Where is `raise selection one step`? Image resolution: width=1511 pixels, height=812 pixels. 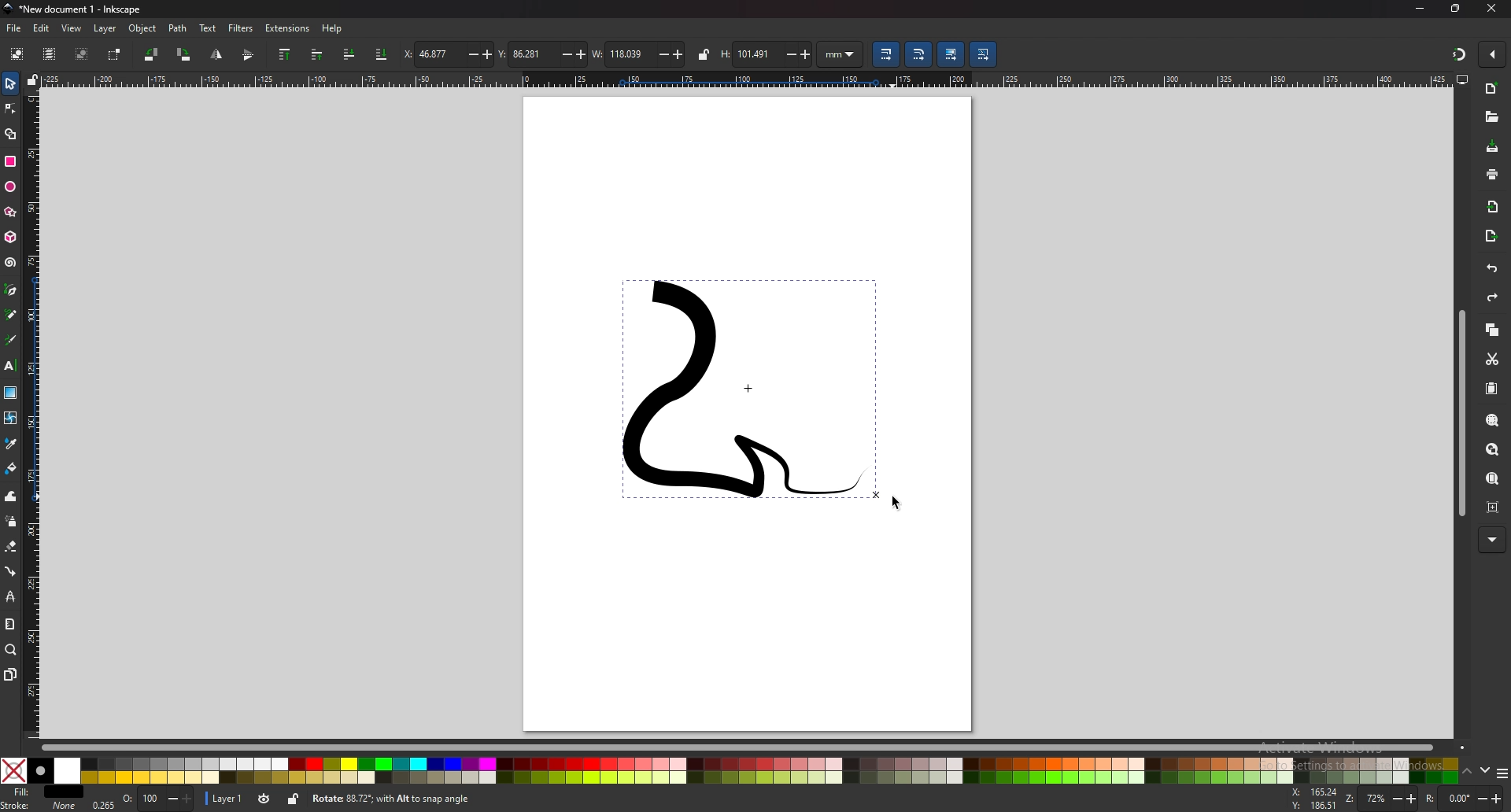 raise selection one step is located at coordinates (316, 55).